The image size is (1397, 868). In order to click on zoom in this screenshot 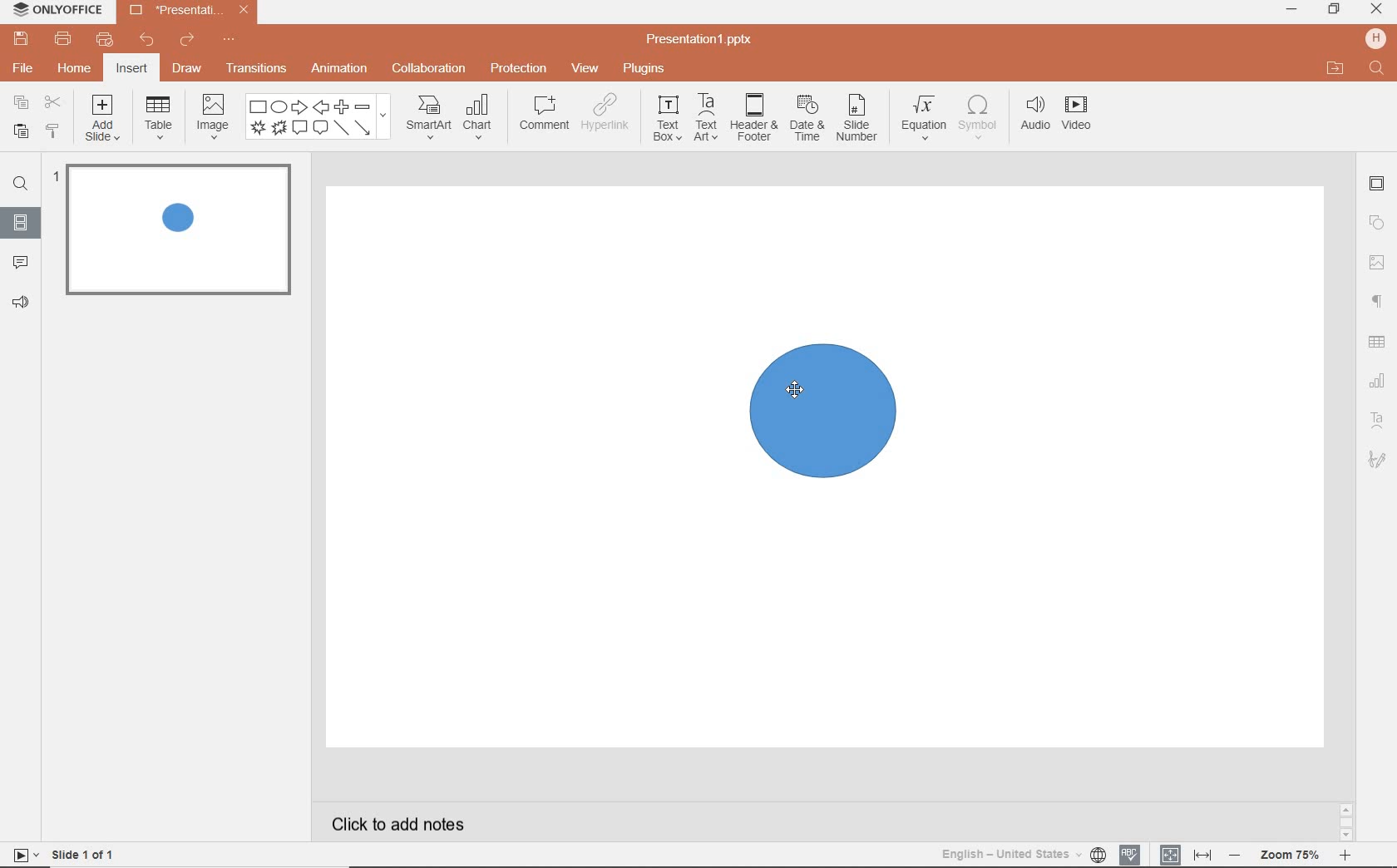, I will do `click(1290, 856)`.